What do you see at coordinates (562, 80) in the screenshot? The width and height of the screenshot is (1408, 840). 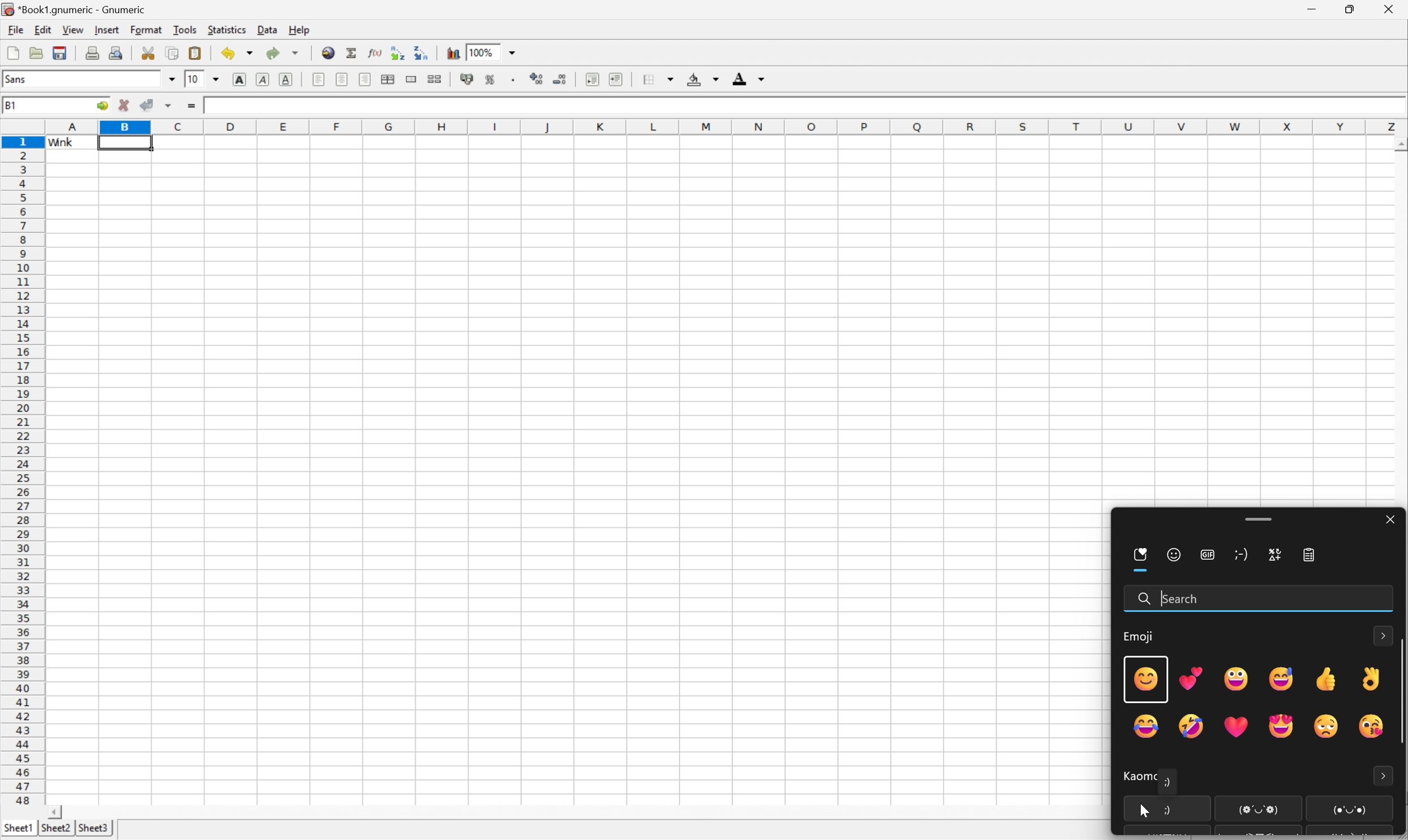 I see `decrease number of decimals displayed` at bounding box center [562, 80].